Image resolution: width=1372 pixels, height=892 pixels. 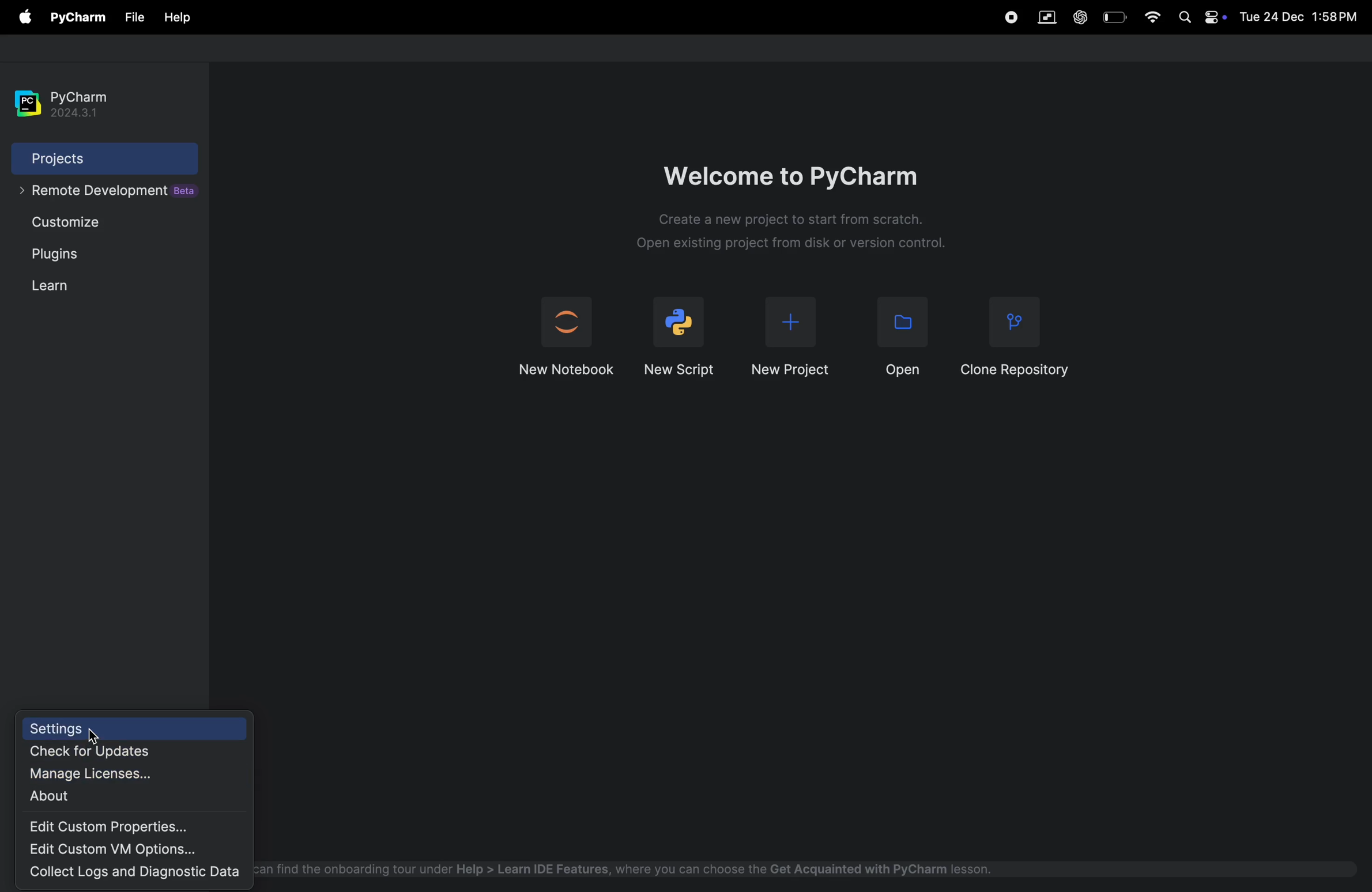 What do you see at coordinates (1152, 19) in the screenshot?
I see `wifi` at bounding box center [1152, 19].